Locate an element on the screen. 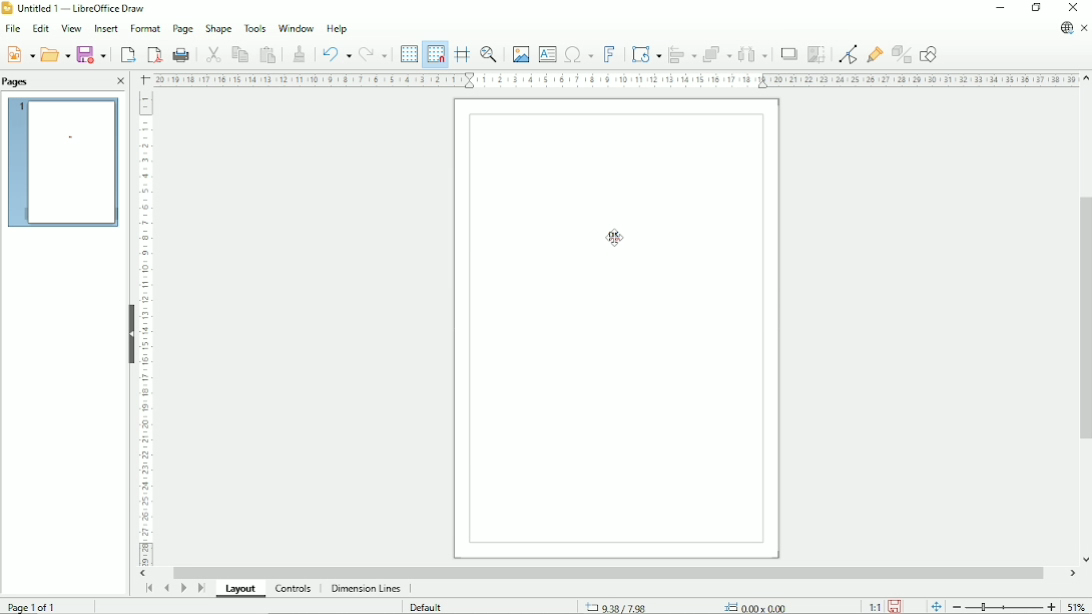 The height and width of the screenshot is (614, 1092). Toggle point edit mode is located at coordinates (848, 55).